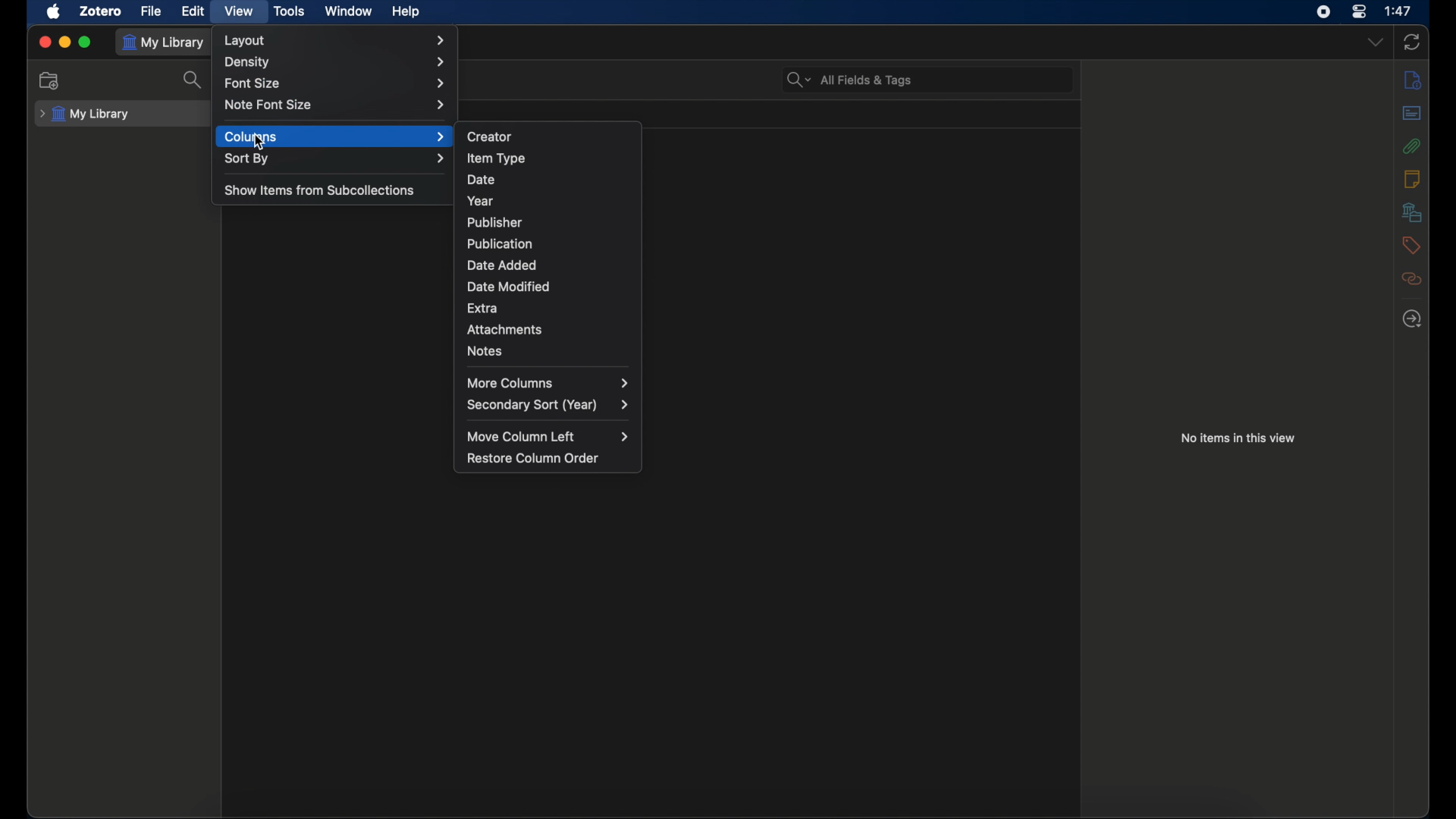 Image resolution: width=1456 pixels, height=819 pixels. What do you see at coordinates (1412, 42) in the screenshot?
I see `sync` at bounding box center [1412, 42].